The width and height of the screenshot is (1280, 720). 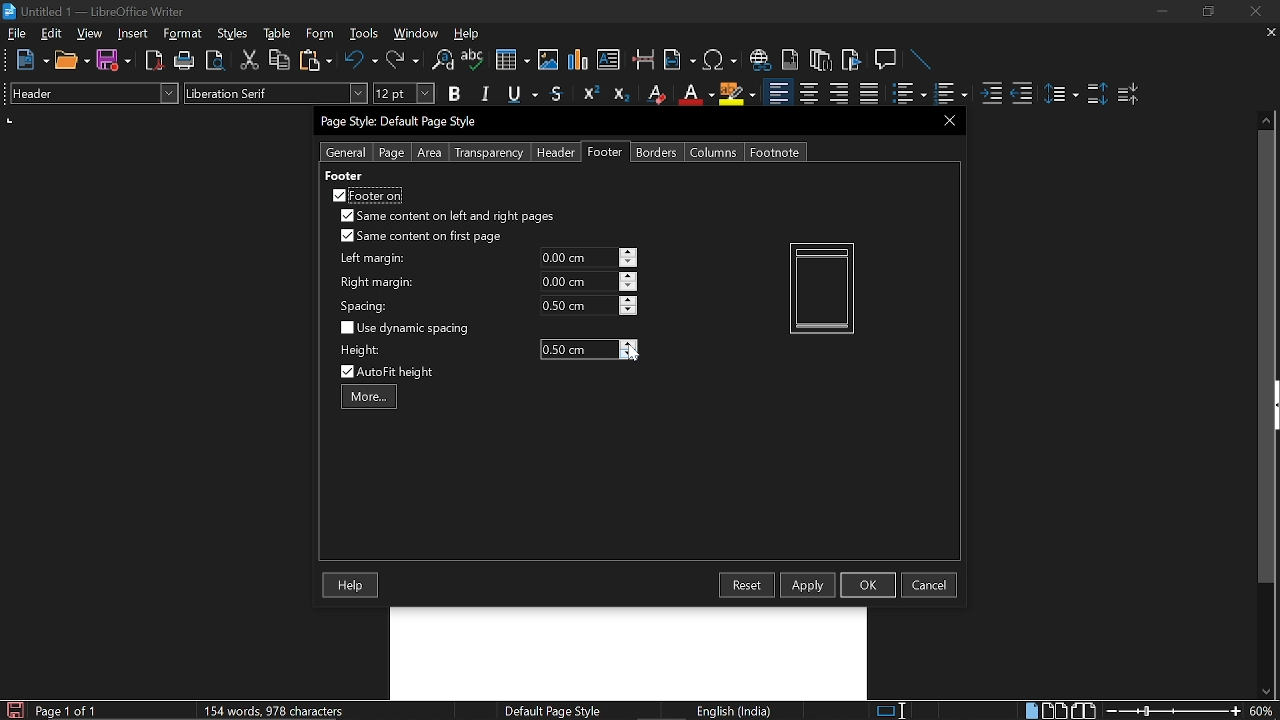 What do you see at coordinates (446, 218) in the screenshot?
I see `Same content on left and right` at bounding box center [446, 218].